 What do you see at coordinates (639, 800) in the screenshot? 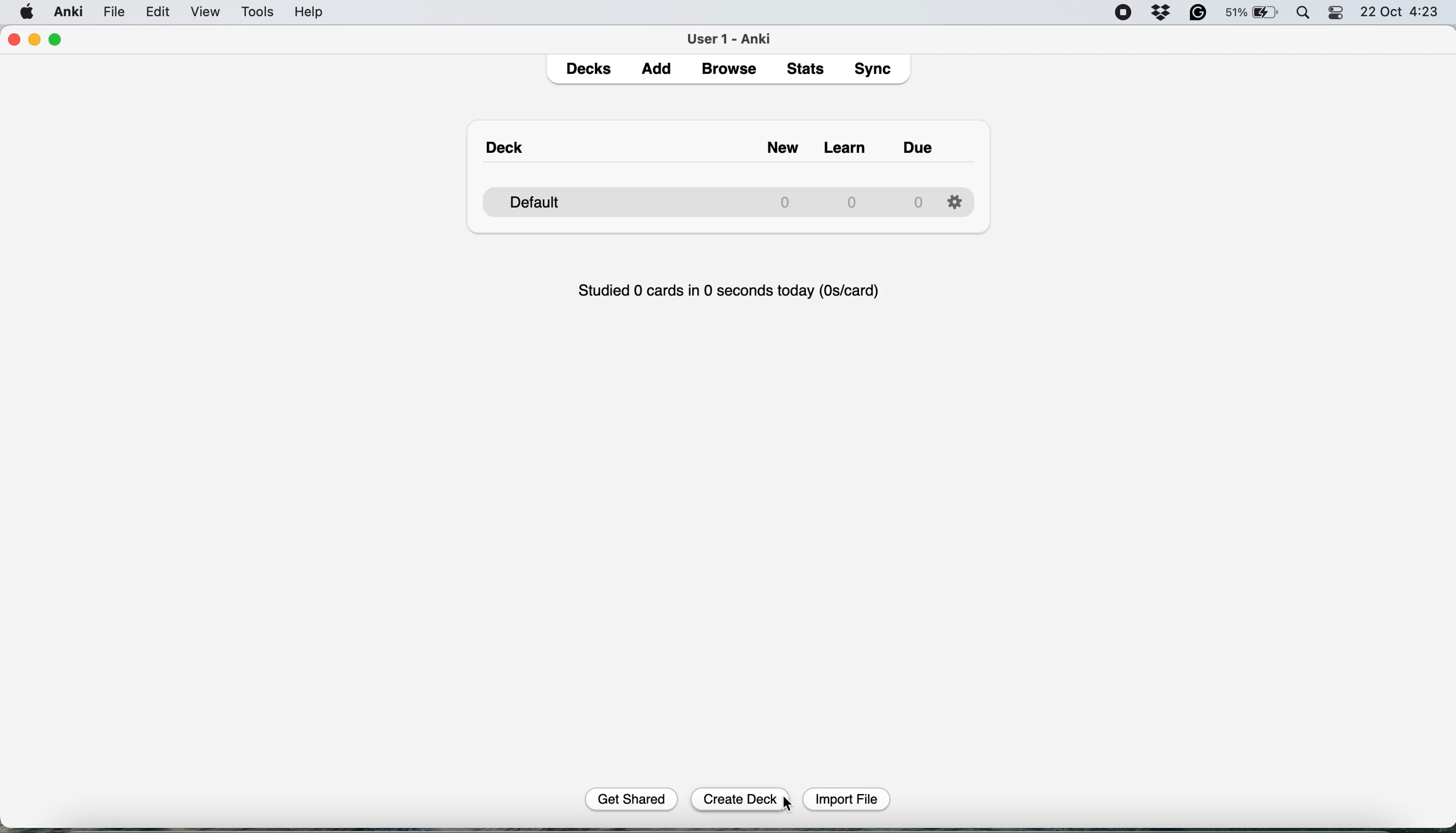
I see `get shared` at bounding box center [639, 800].